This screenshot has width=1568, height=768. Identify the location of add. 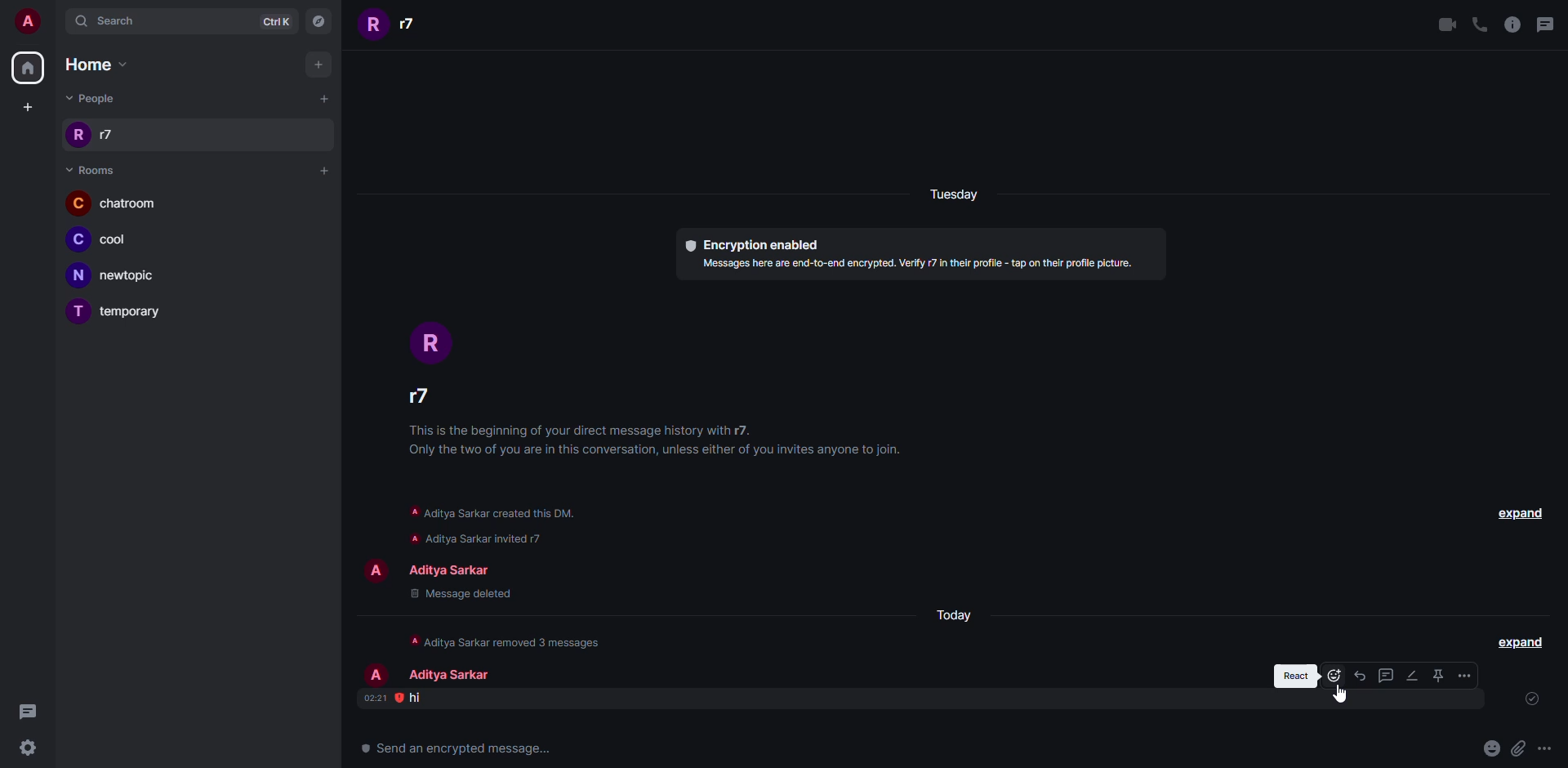
(322, 100).